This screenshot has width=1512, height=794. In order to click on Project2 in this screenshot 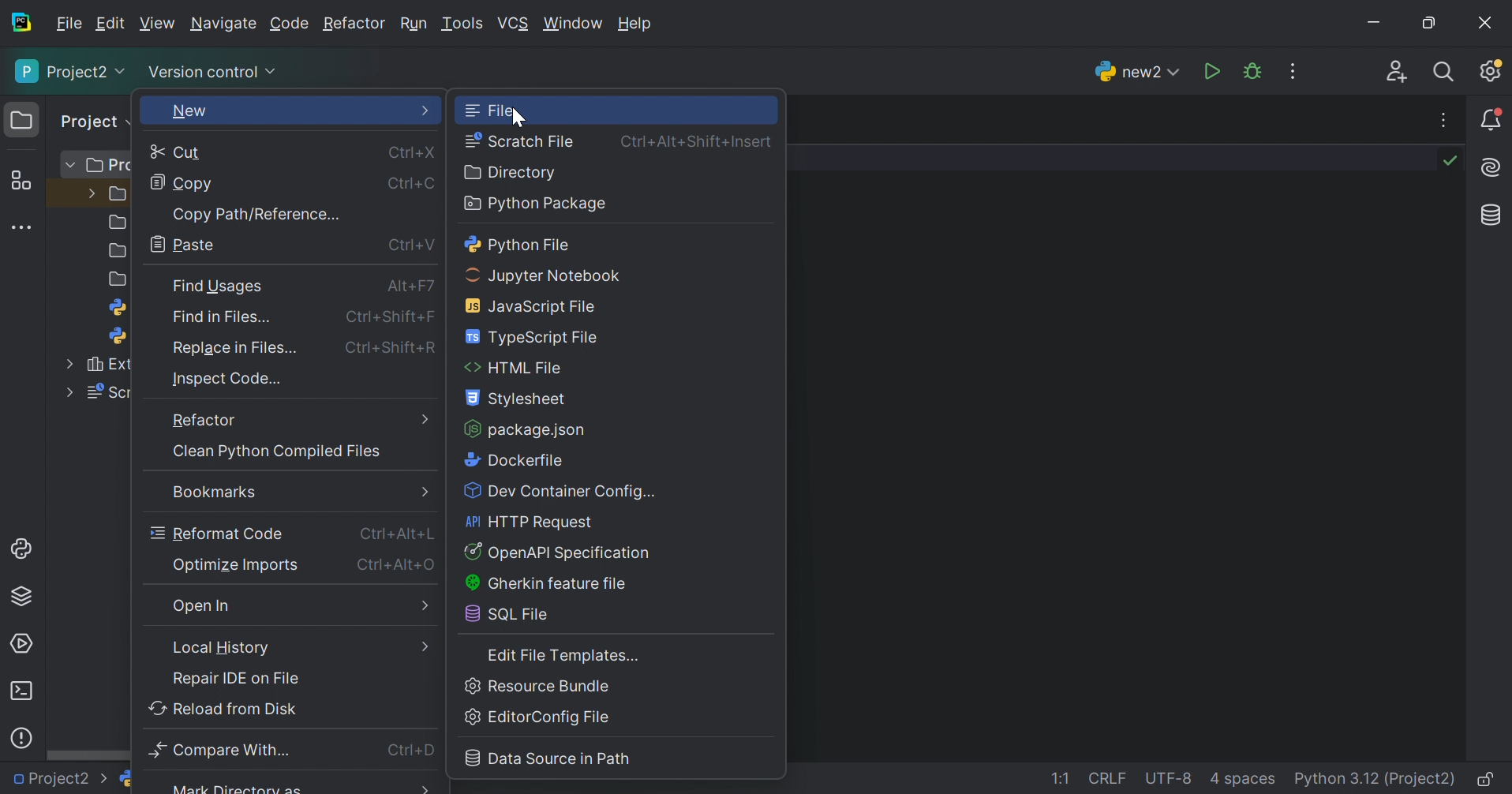, I will do `click(70, 72)`.